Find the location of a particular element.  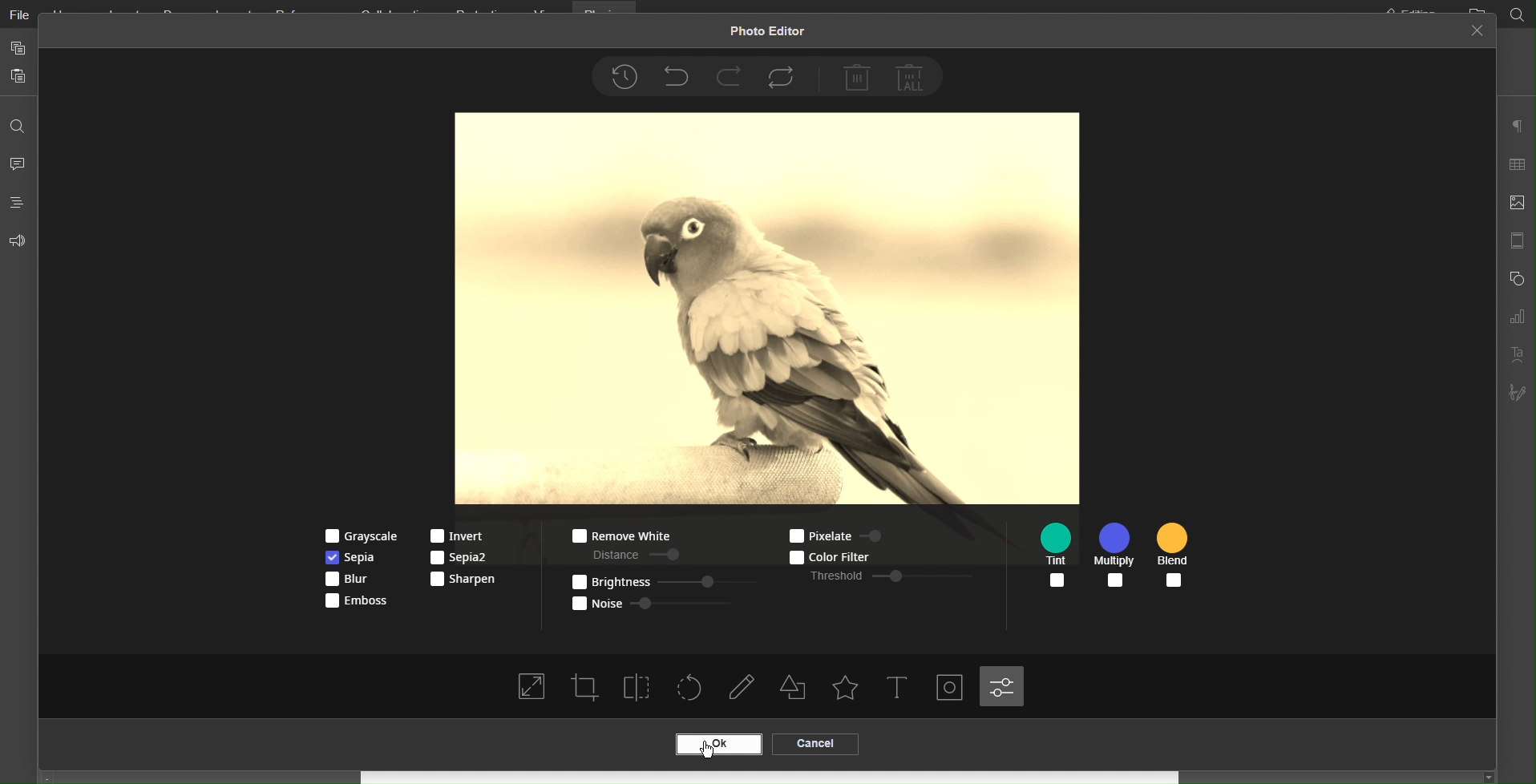

Photo Editor is located at coordinates (766, 33).